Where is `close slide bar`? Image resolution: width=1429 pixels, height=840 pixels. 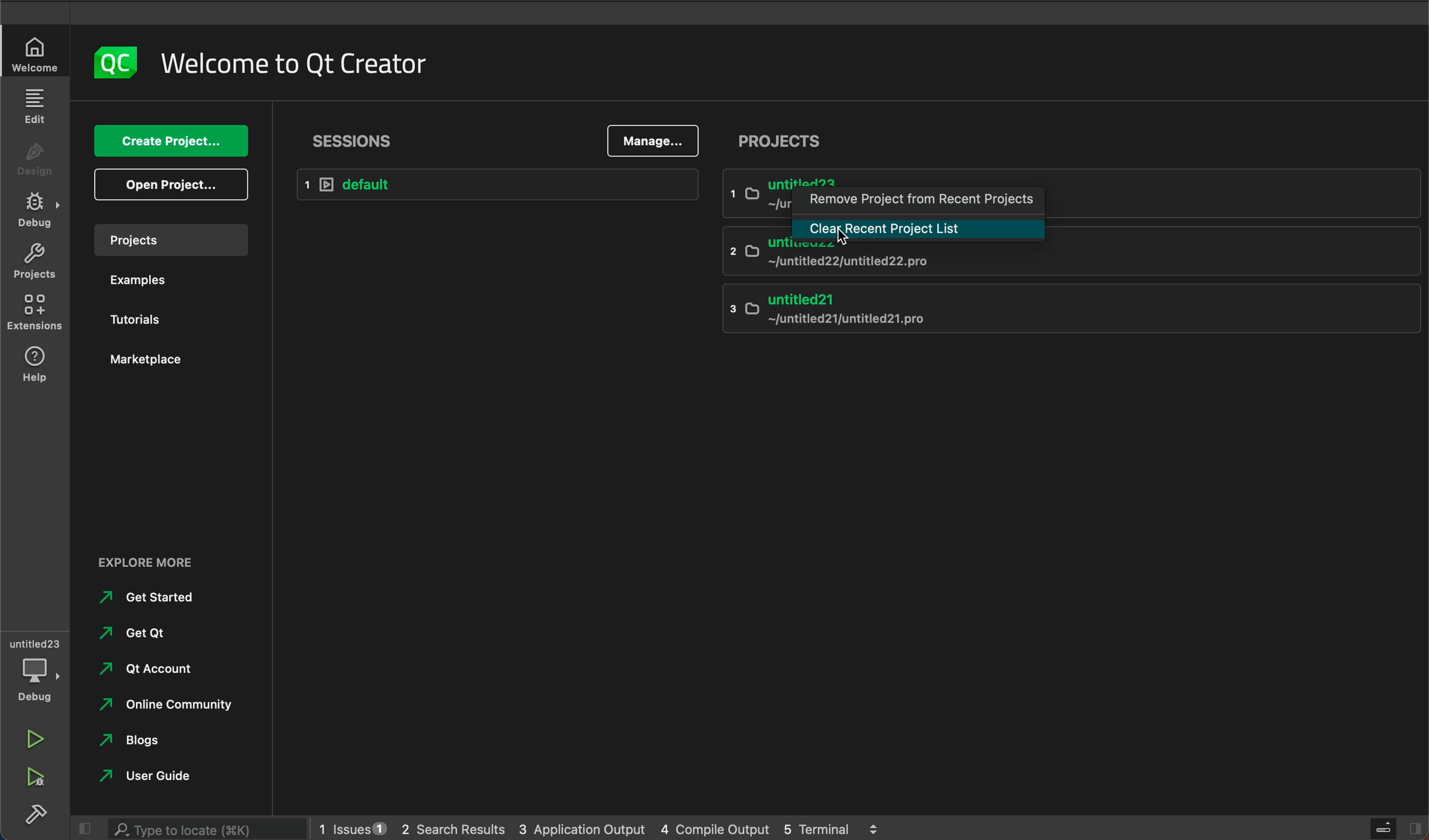
close slide bar is located at coordinates (82, 829).